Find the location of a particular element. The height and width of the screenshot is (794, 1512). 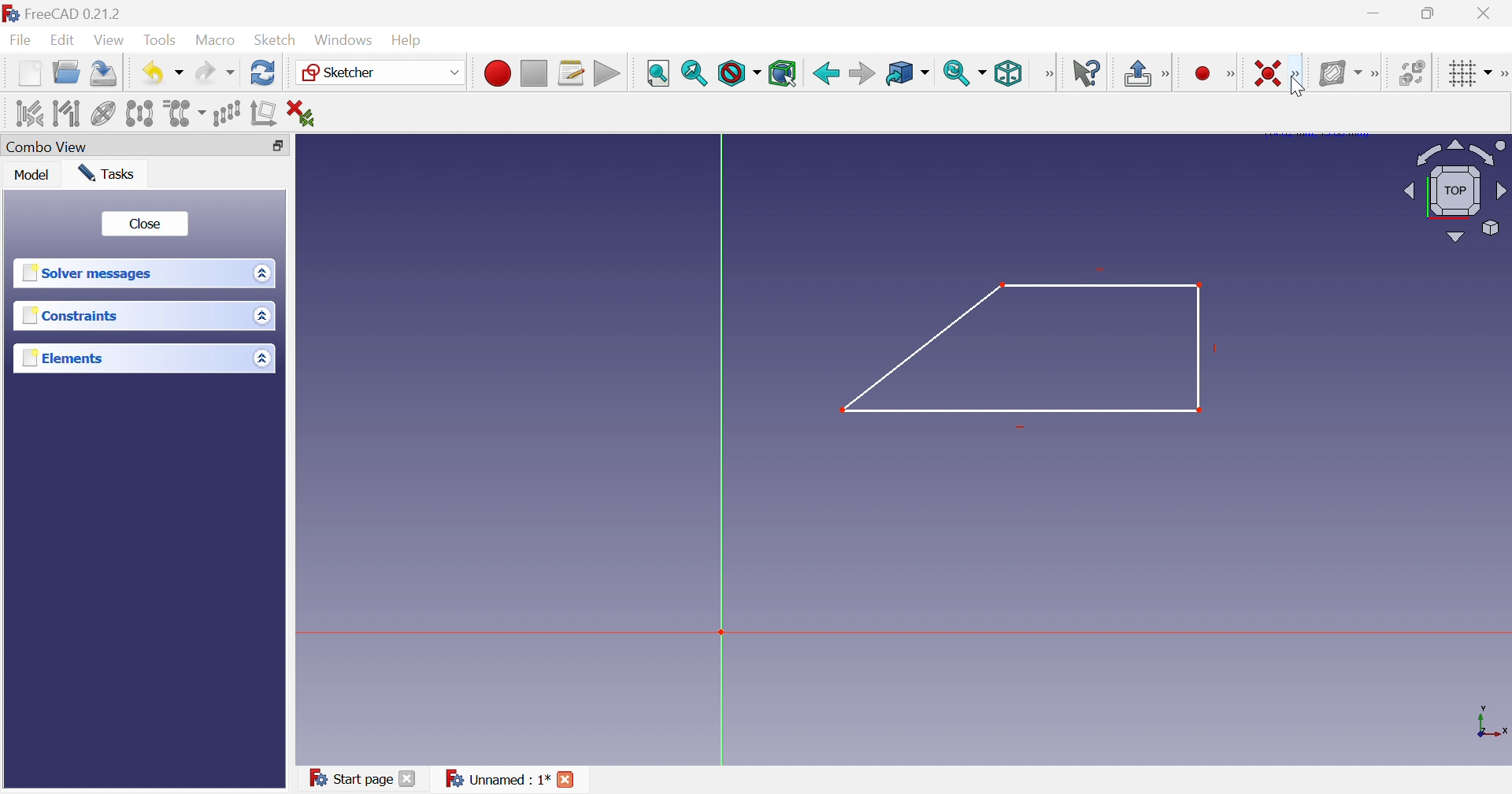

Select associated constraints is located at coordinates (23, 113).